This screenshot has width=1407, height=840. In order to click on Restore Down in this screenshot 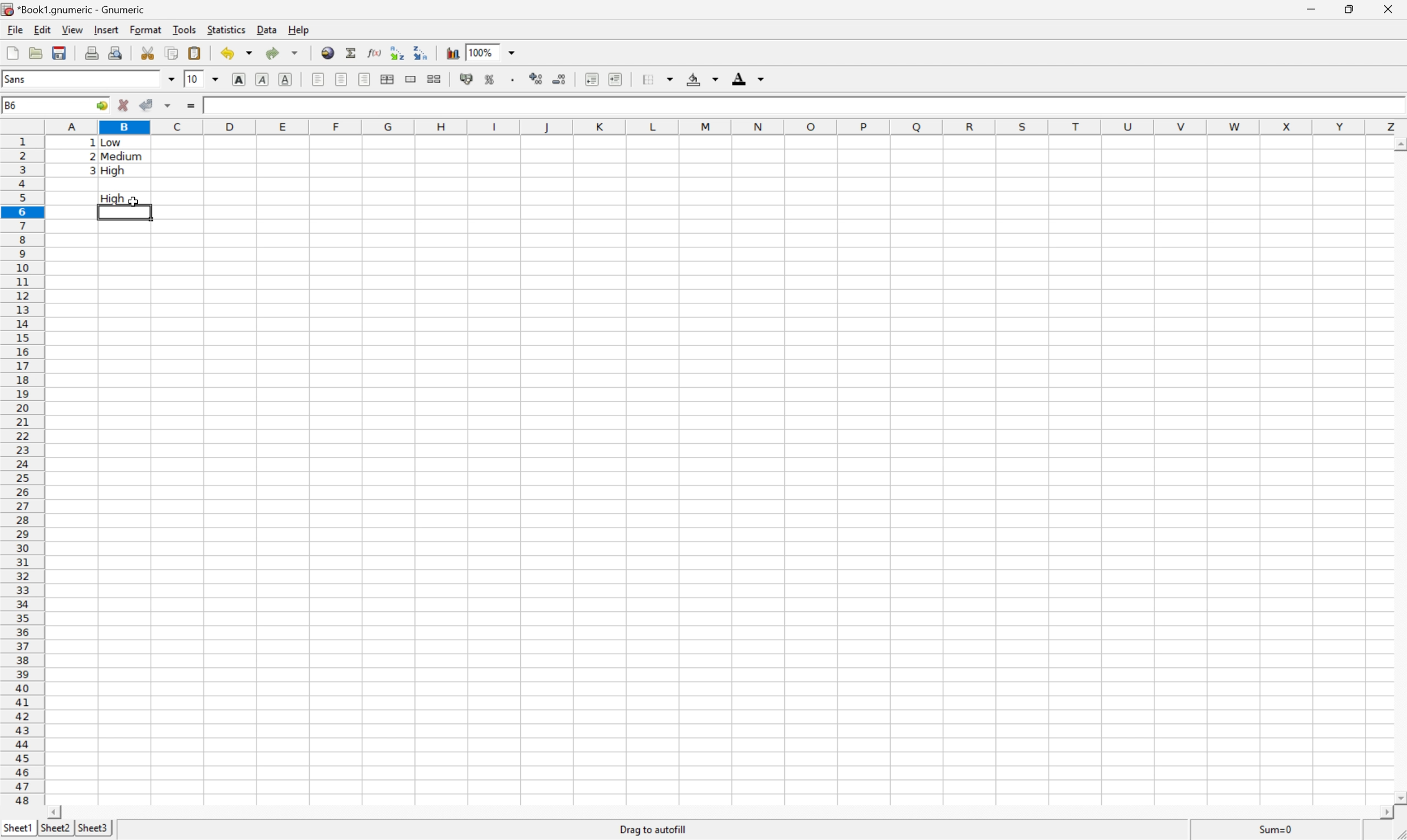, I will do `click(1349, 9)`.